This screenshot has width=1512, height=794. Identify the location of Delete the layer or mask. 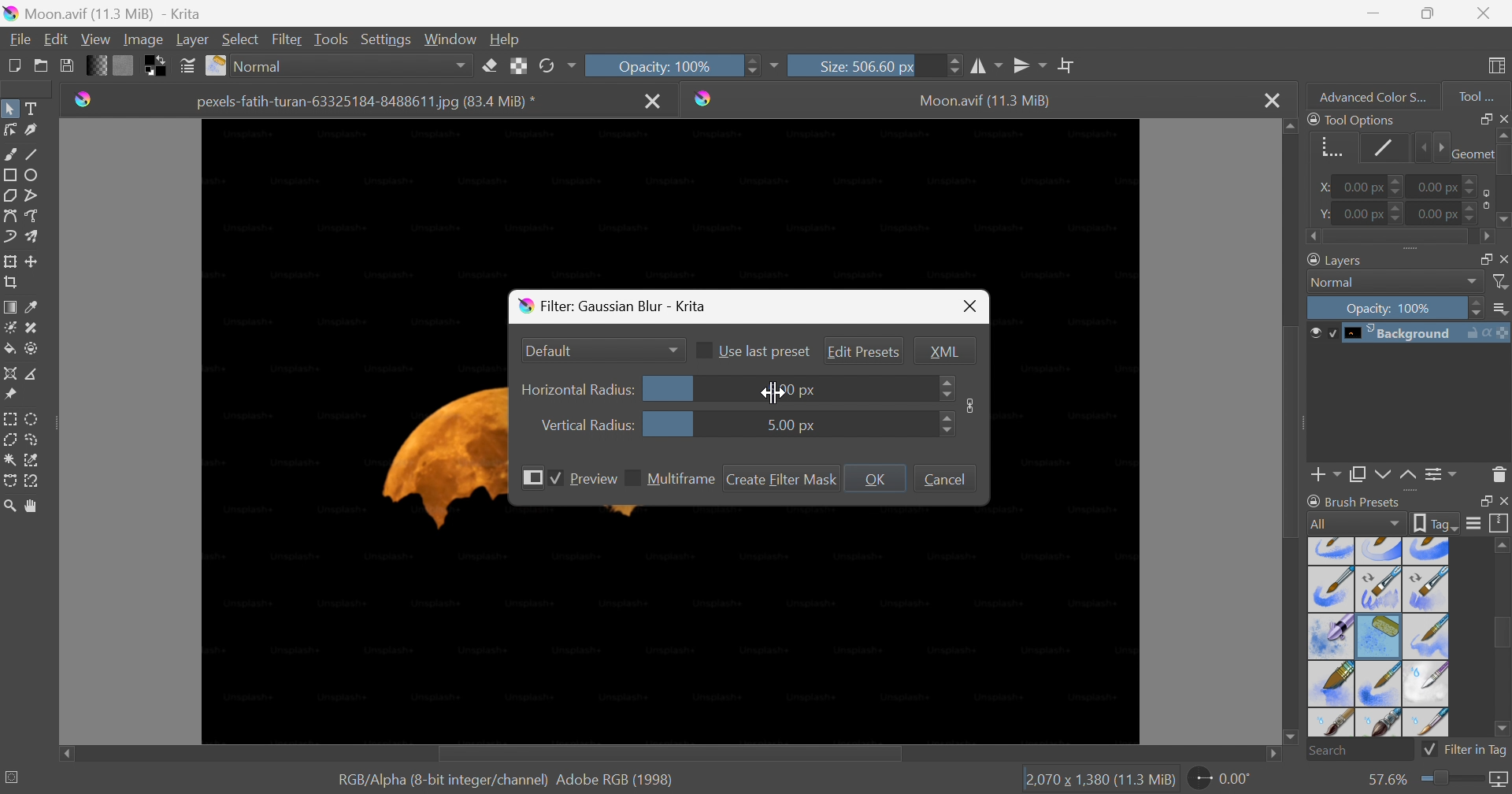
(1499, 477).